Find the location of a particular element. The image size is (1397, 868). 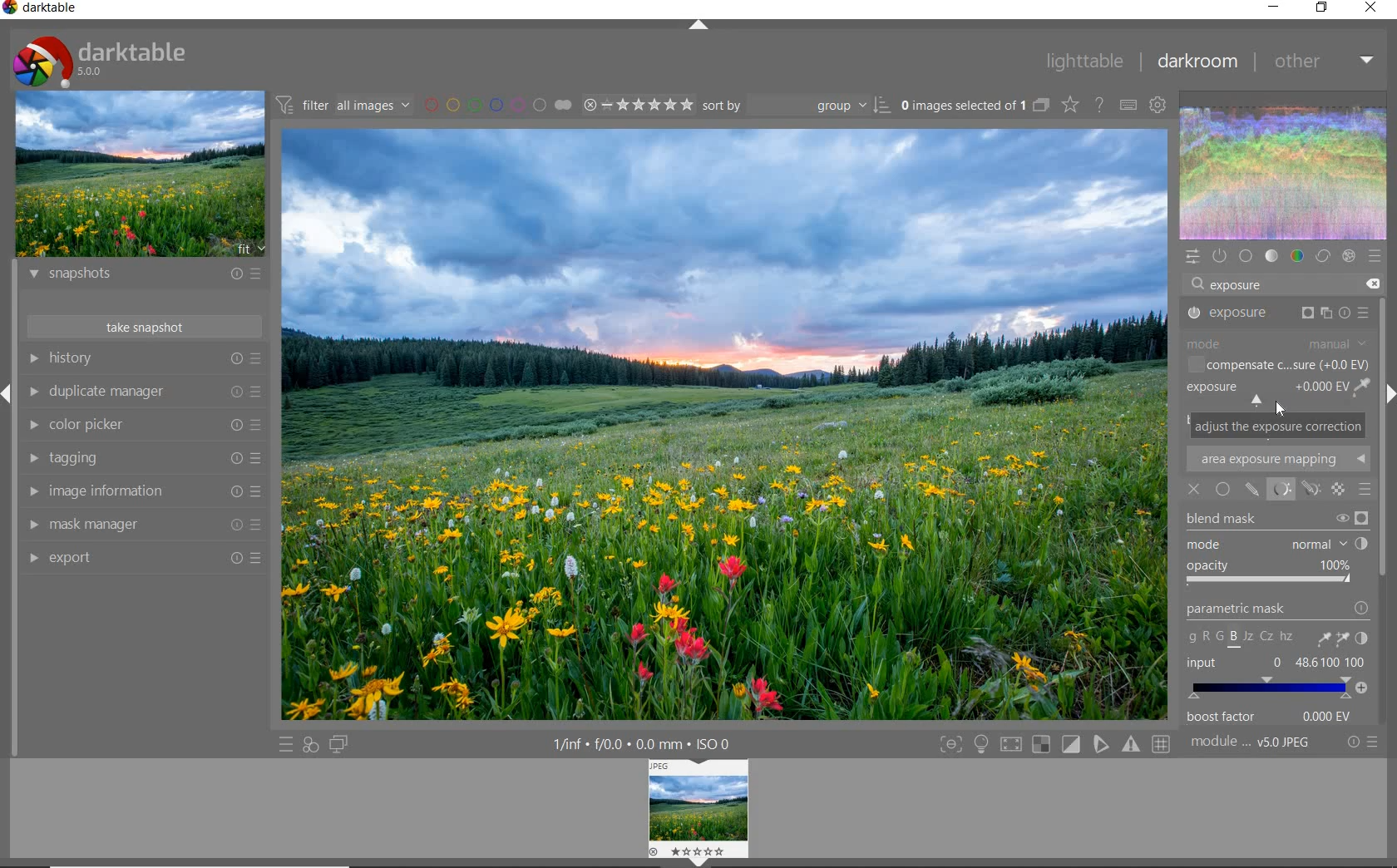

selected image is located at coordinates (724, 422).